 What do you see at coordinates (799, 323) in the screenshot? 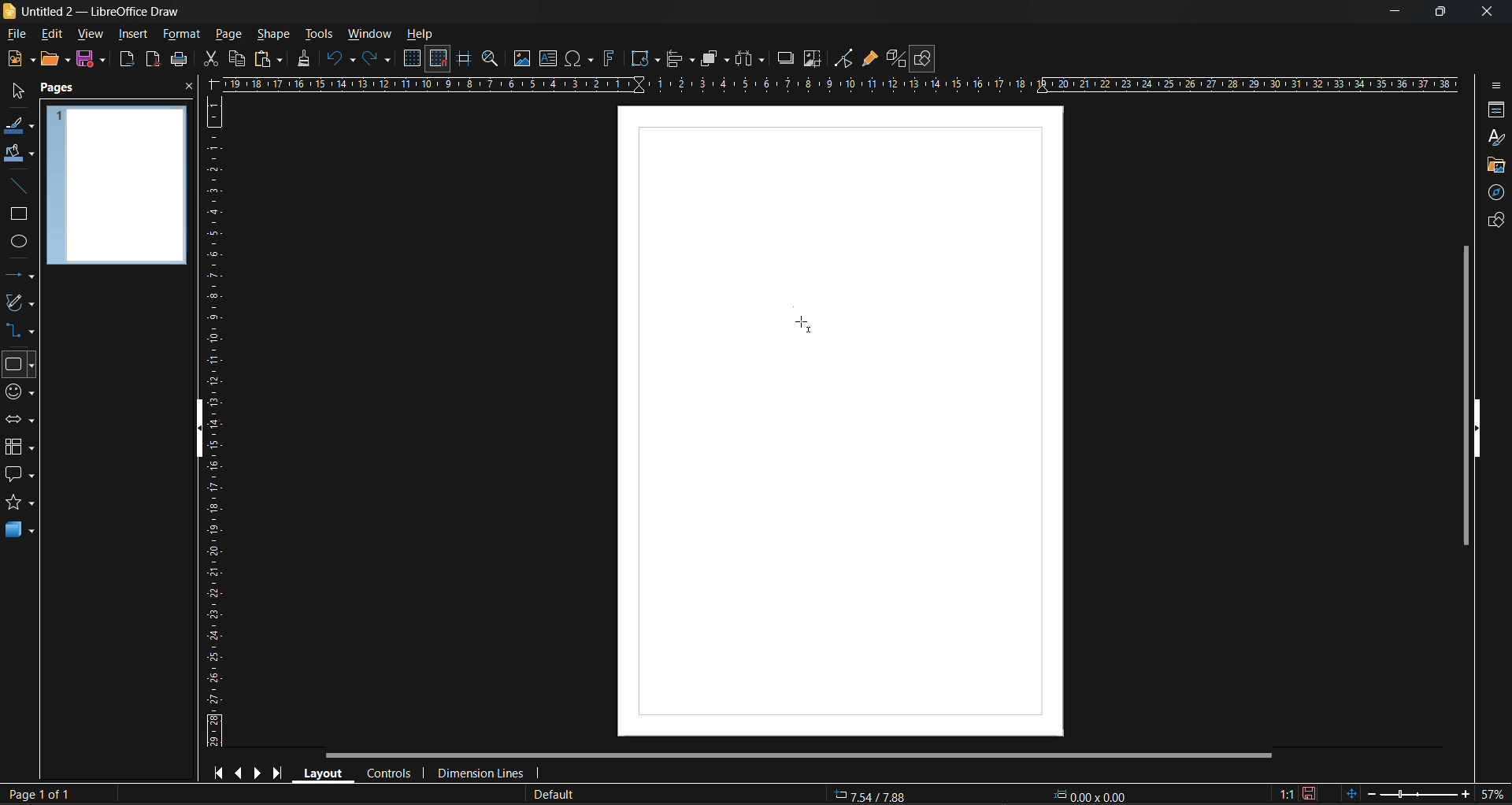
I see `cursor` at bounding box center [799, 323].